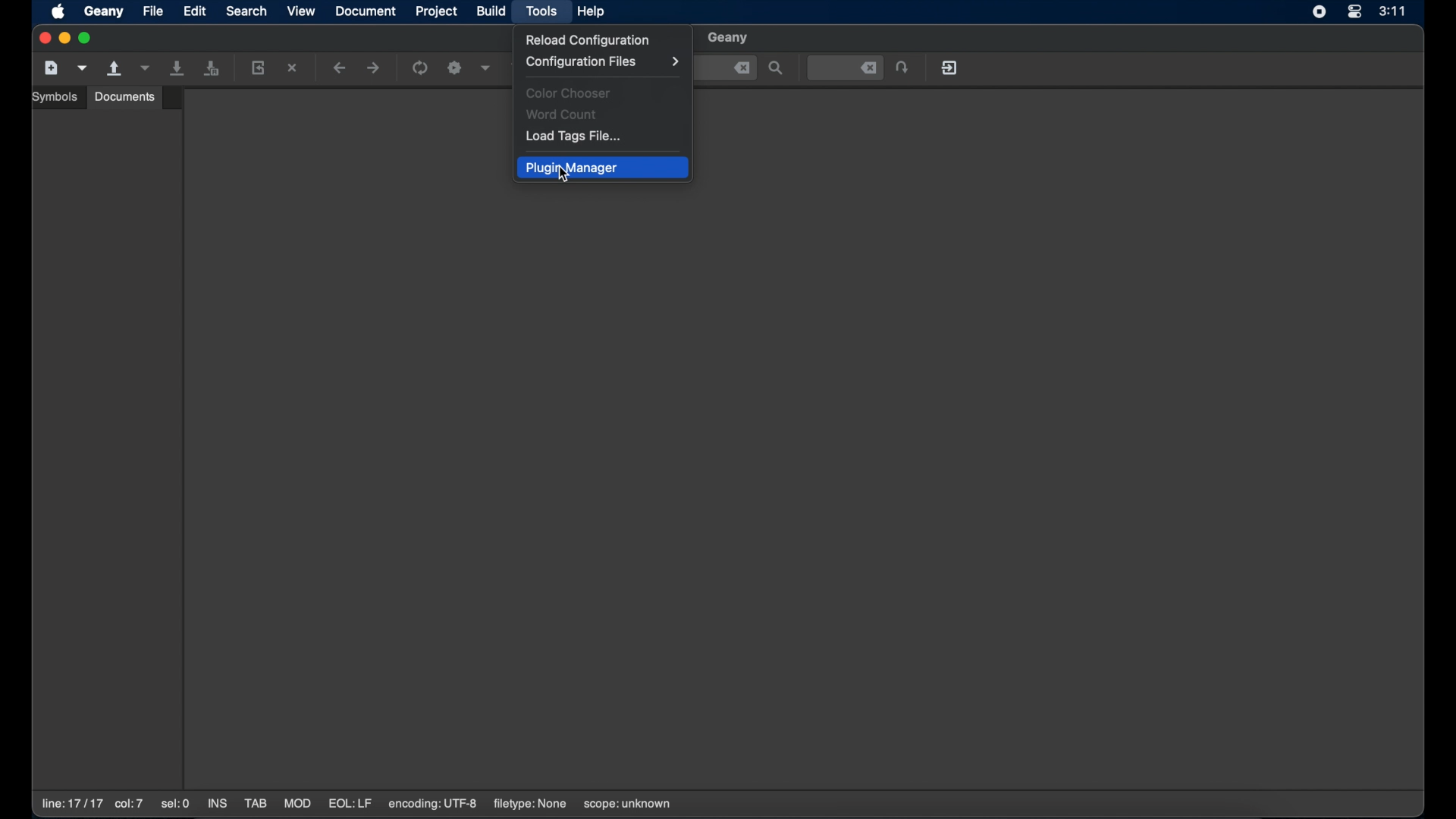  What do you see at coordinates (128, 805) in the screenshot?
I see `co:7` at bounding box center [128, 805].